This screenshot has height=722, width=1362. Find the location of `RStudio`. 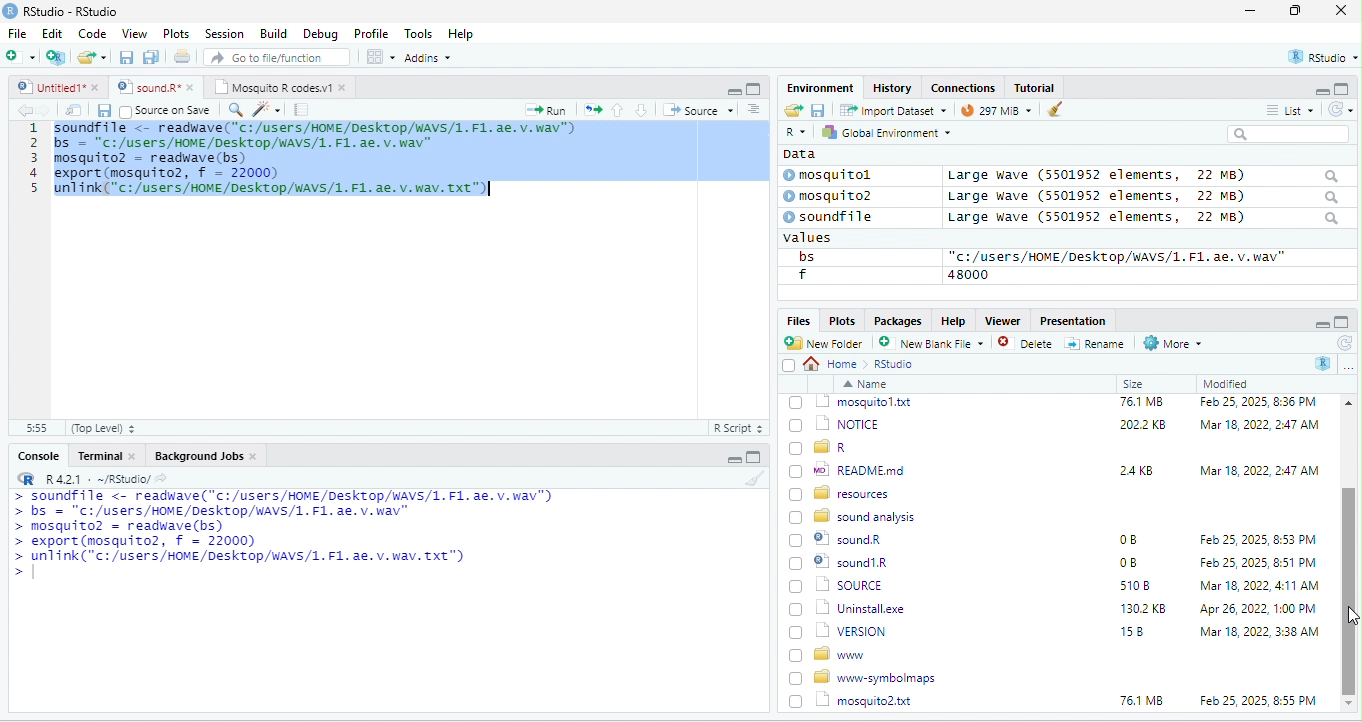

RStudio is located at coordinates (64, 10).